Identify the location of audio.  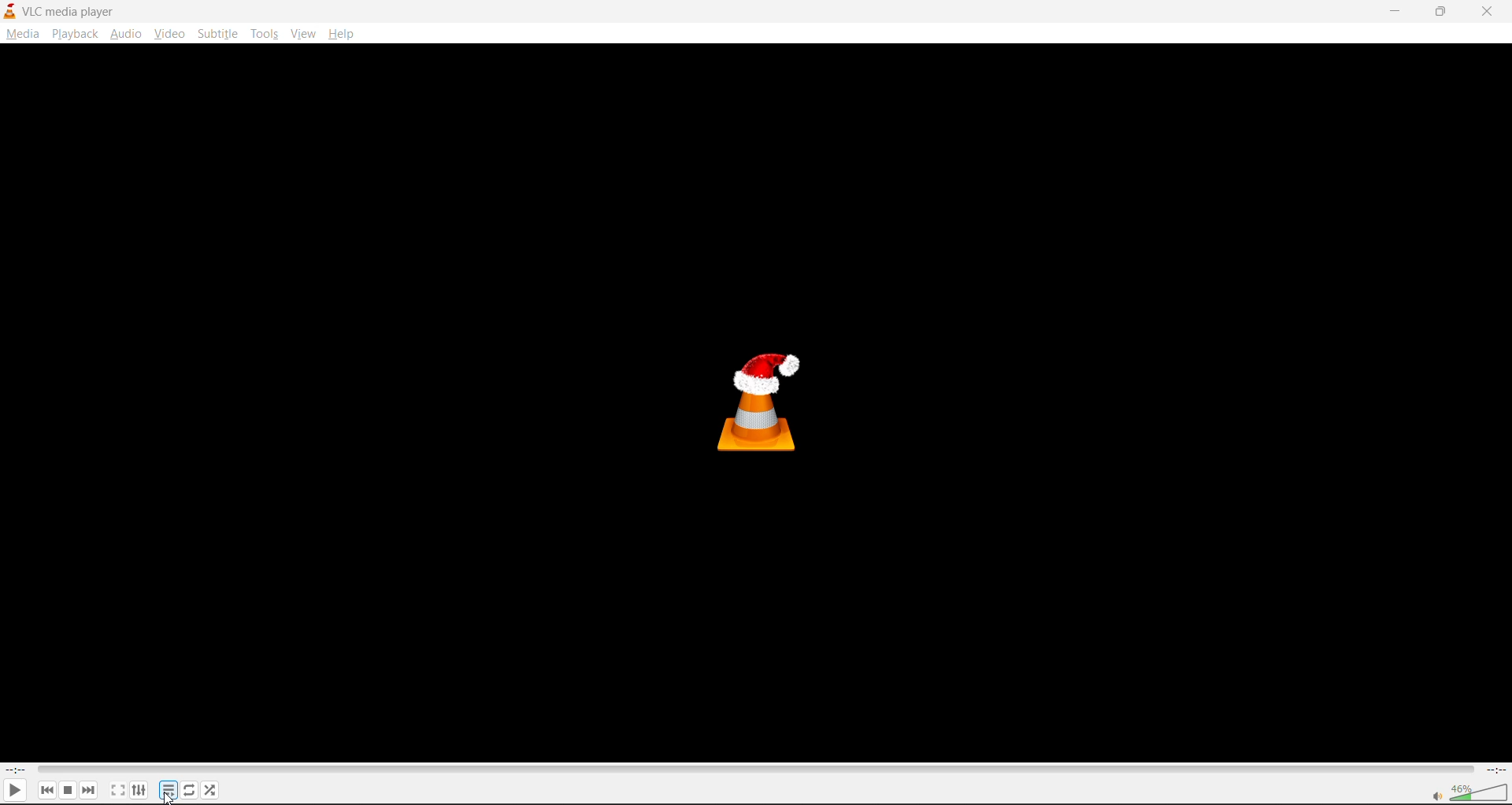
(126, 33).